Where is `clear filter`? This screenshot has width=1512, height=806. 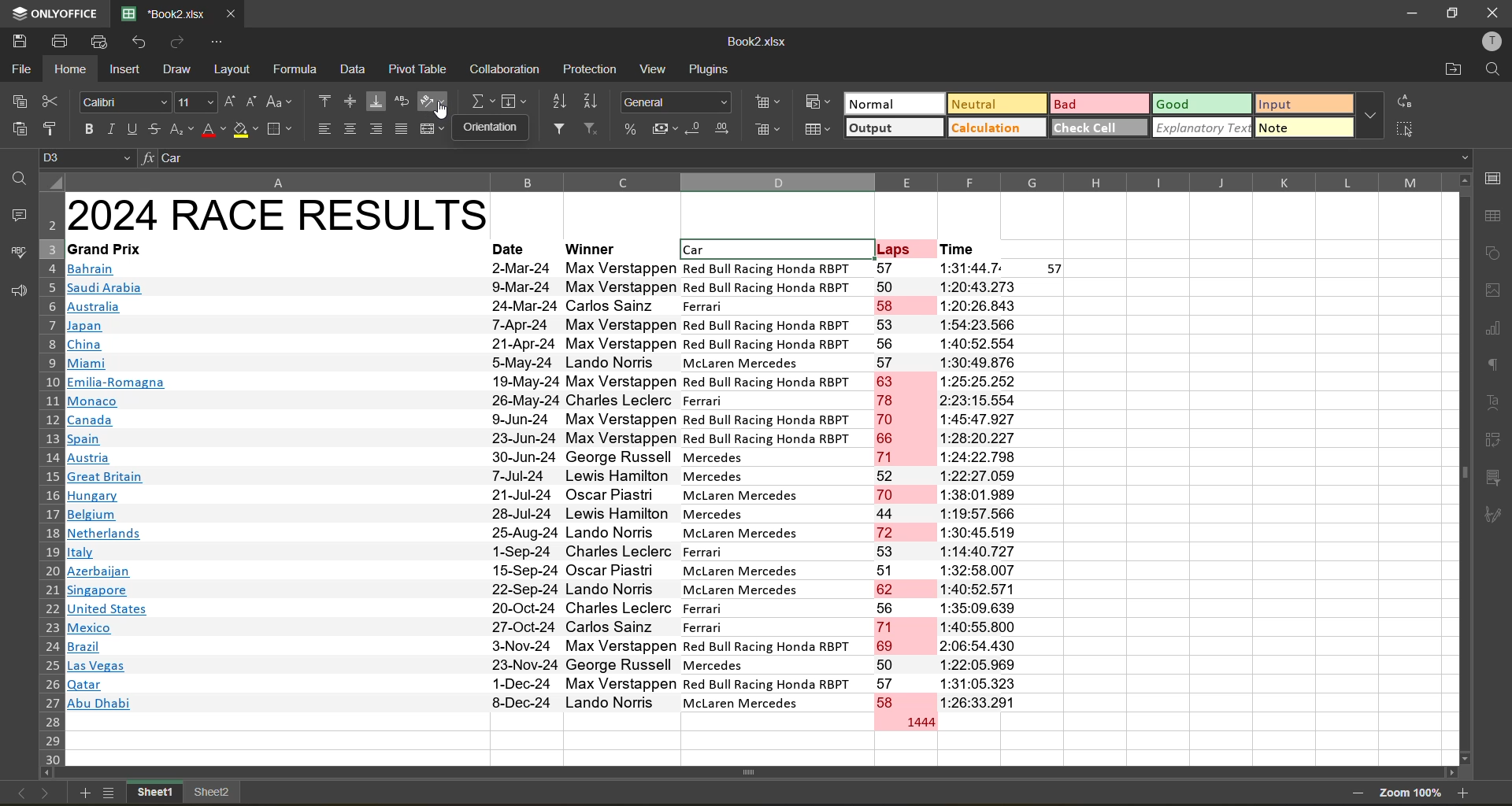
clear filter is located at coordinates (591, 126).